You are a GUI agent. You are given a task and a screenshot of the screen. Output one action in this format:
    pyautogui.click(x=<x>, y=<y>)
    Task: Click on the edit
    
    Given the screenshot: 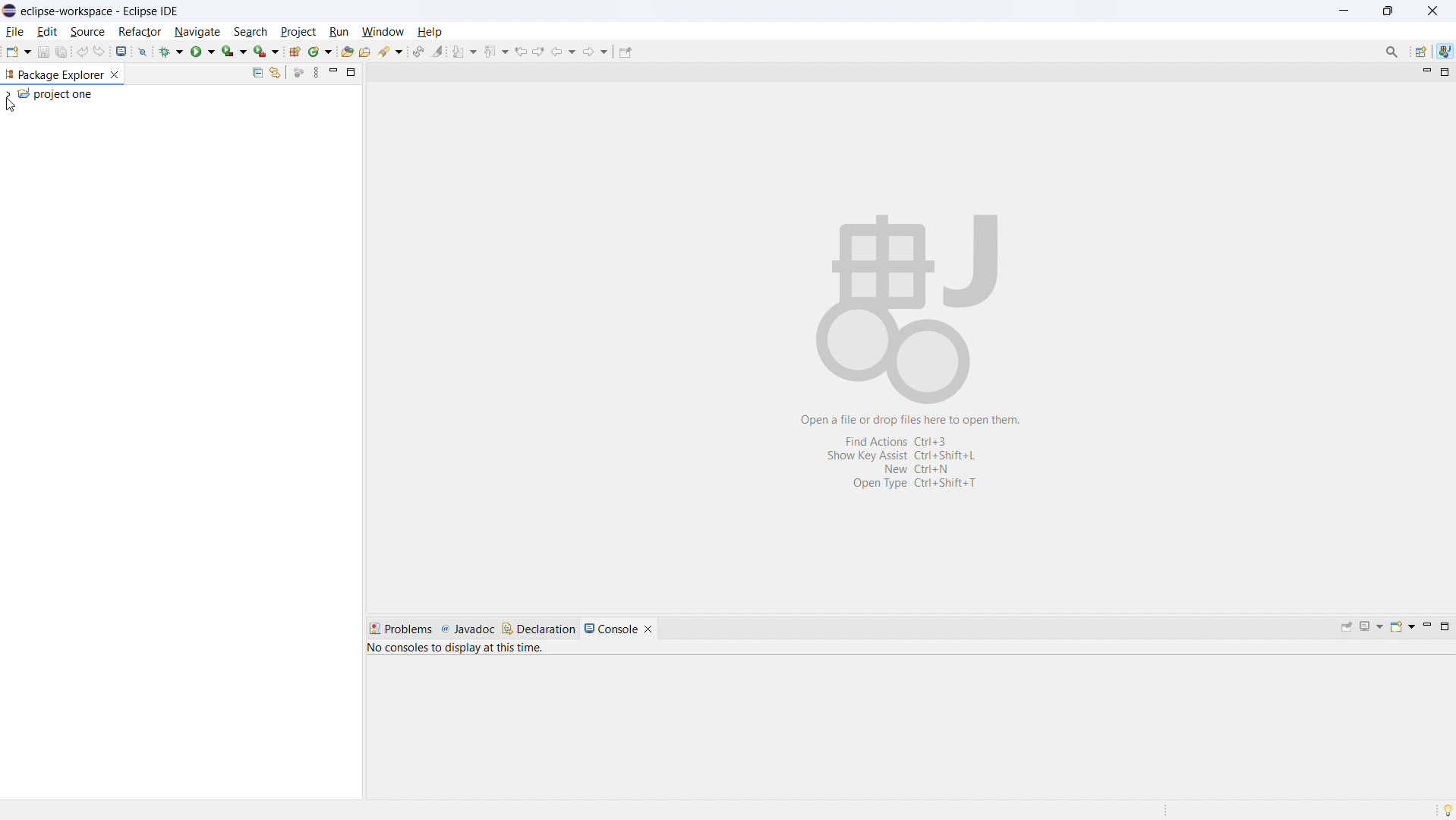 What is the action you would take?
    pyautogui.click(x=48, y=32)
    